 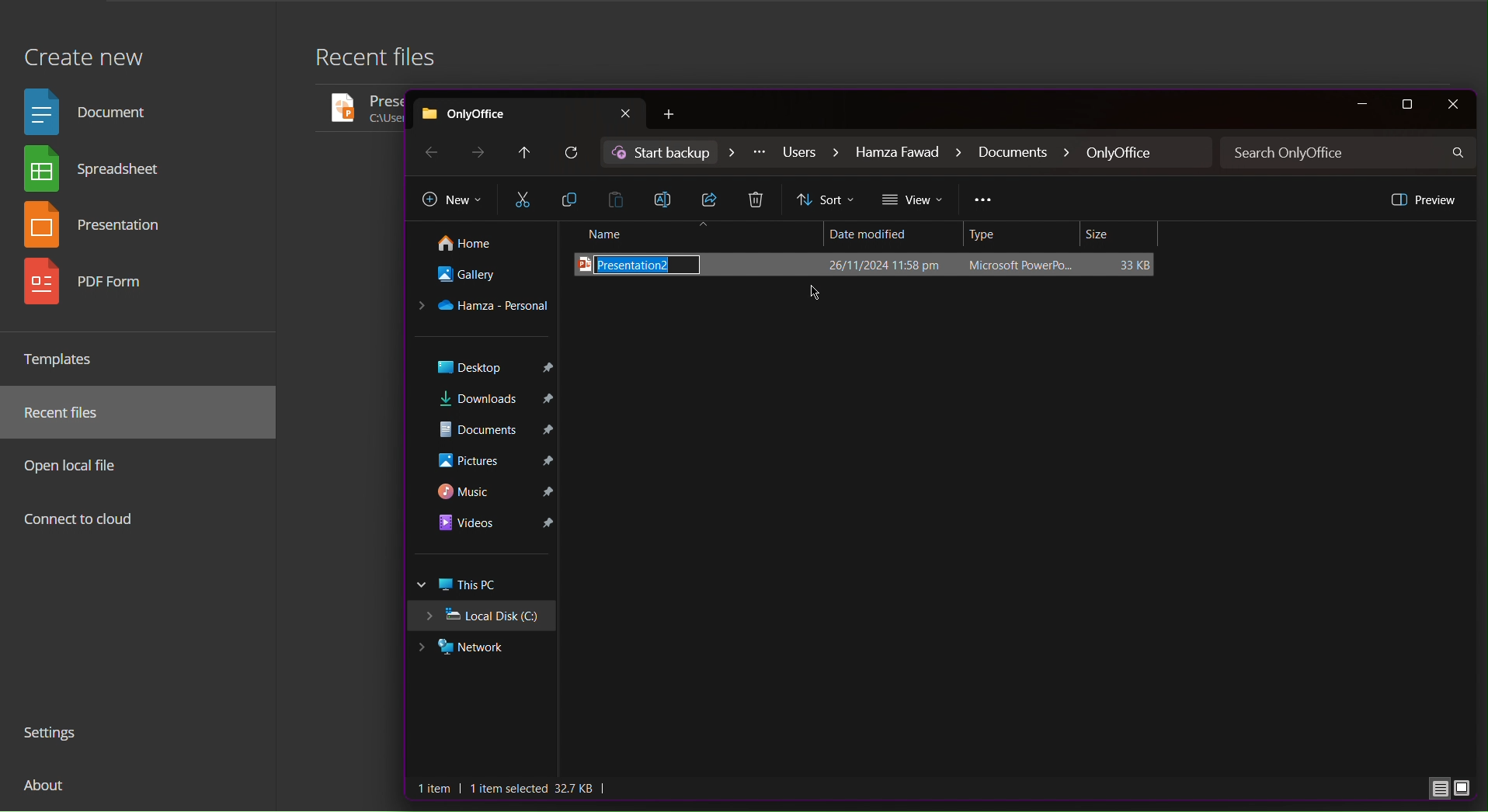 What do you see at coordinates (429, 151) in the screenshot?
I see `Back` at bounding box center [429, 151].